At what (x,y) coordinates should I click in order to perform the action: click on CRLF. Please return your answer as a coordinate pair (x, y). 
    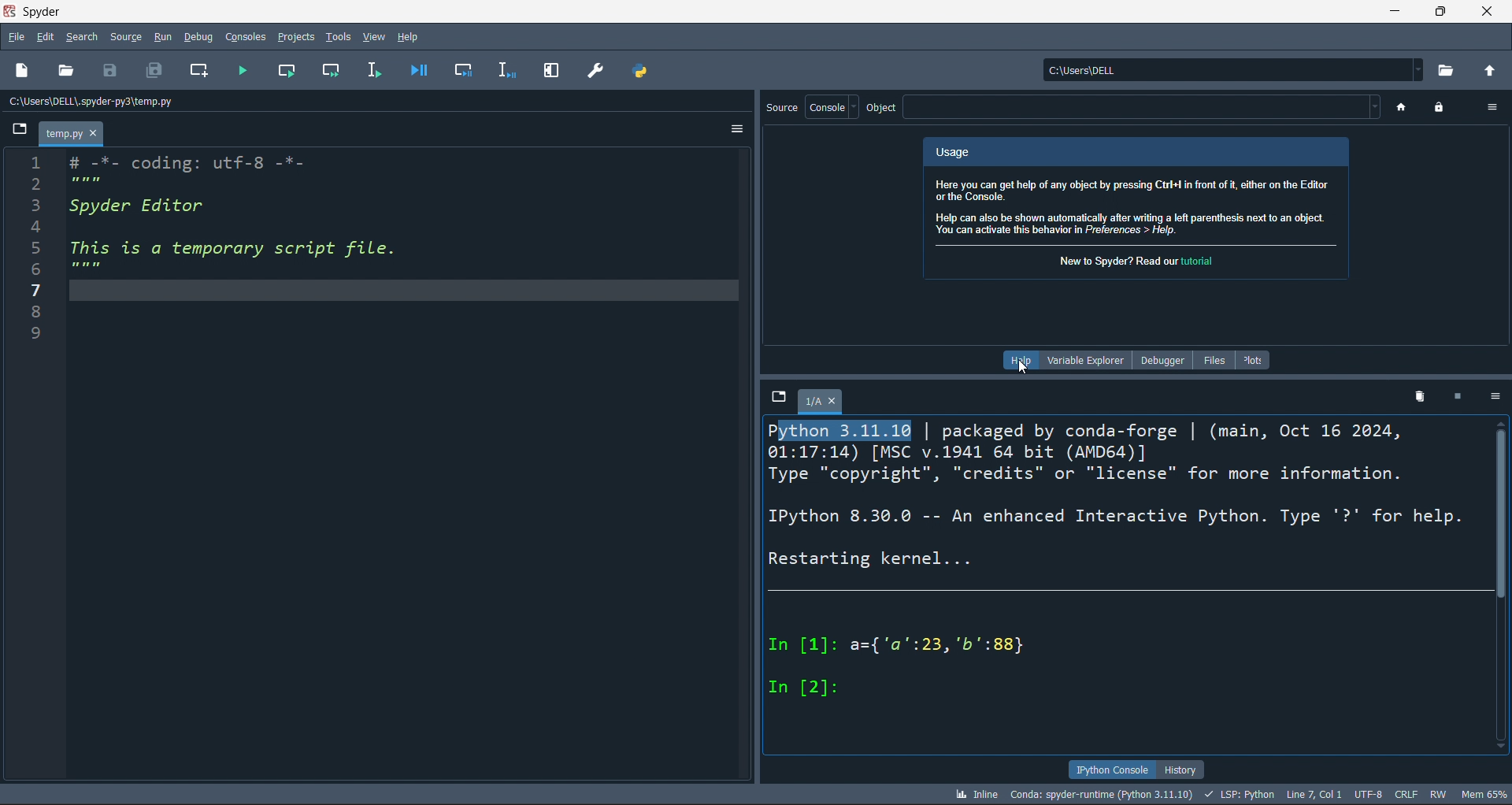
    Looking at the image, I should click on (1406, 794).